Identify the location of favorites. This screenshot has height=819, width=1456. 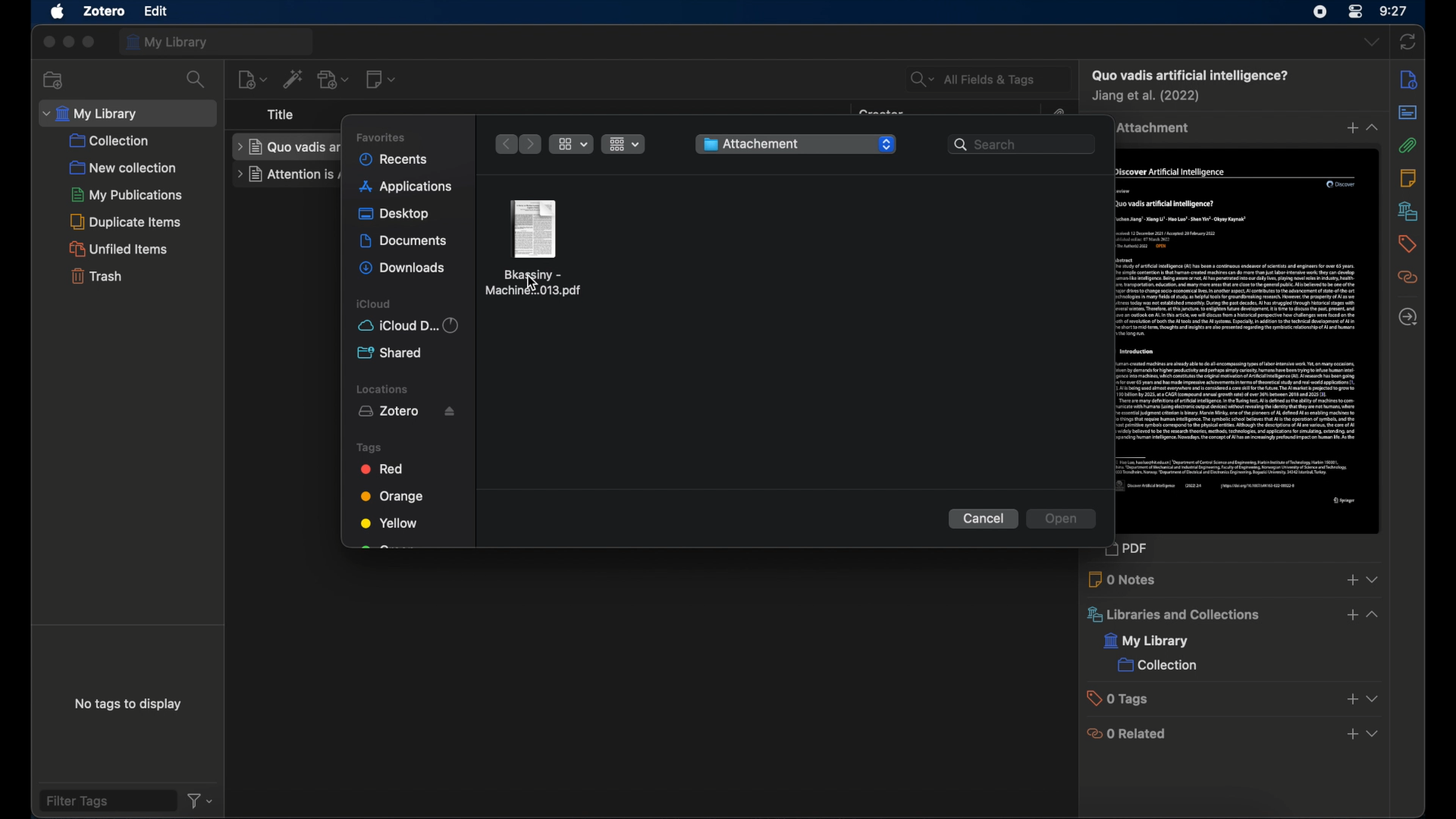
(386, 136).